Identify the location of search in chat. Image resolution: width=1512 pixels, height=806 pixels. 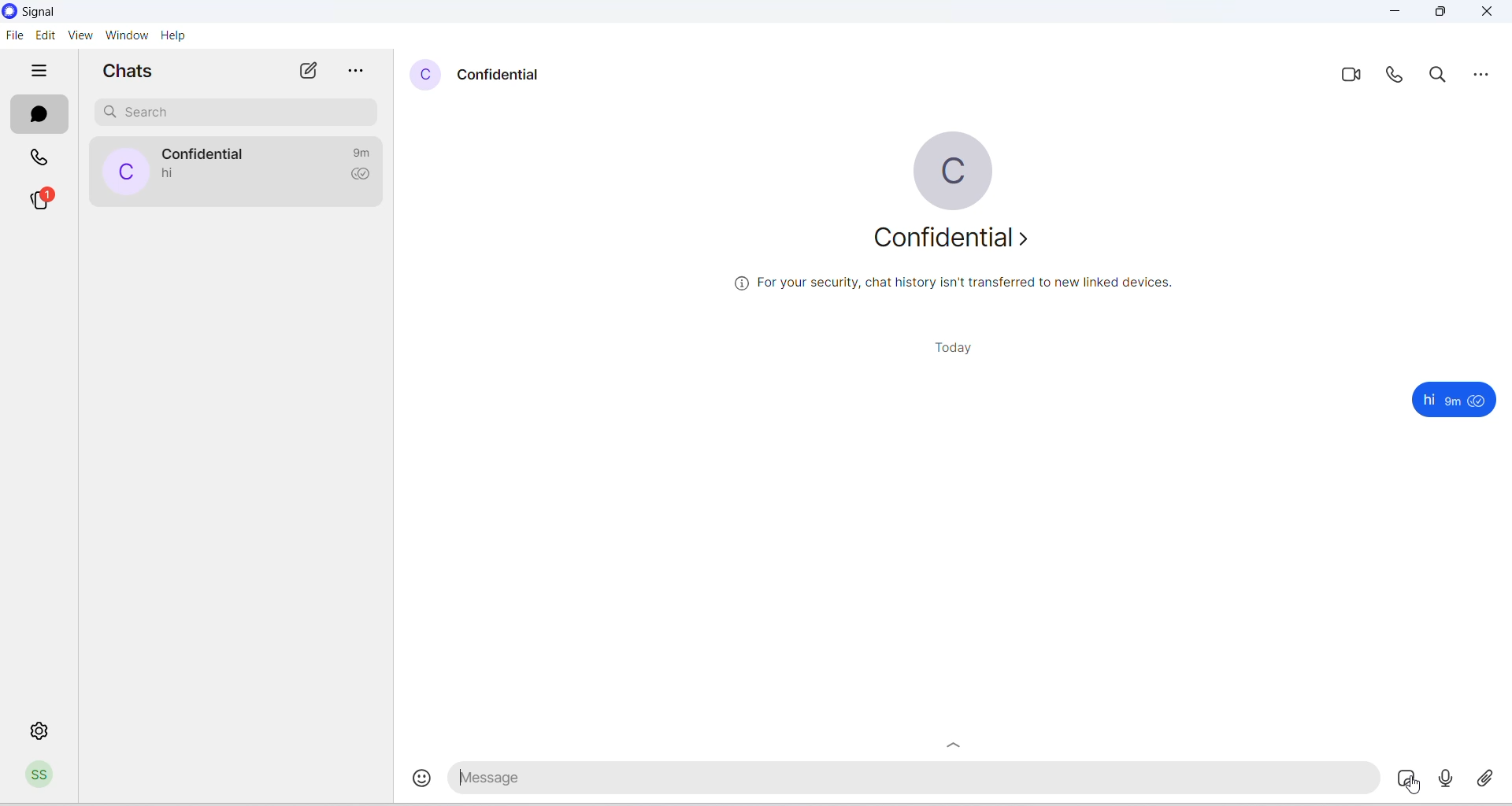
(1443, 76).